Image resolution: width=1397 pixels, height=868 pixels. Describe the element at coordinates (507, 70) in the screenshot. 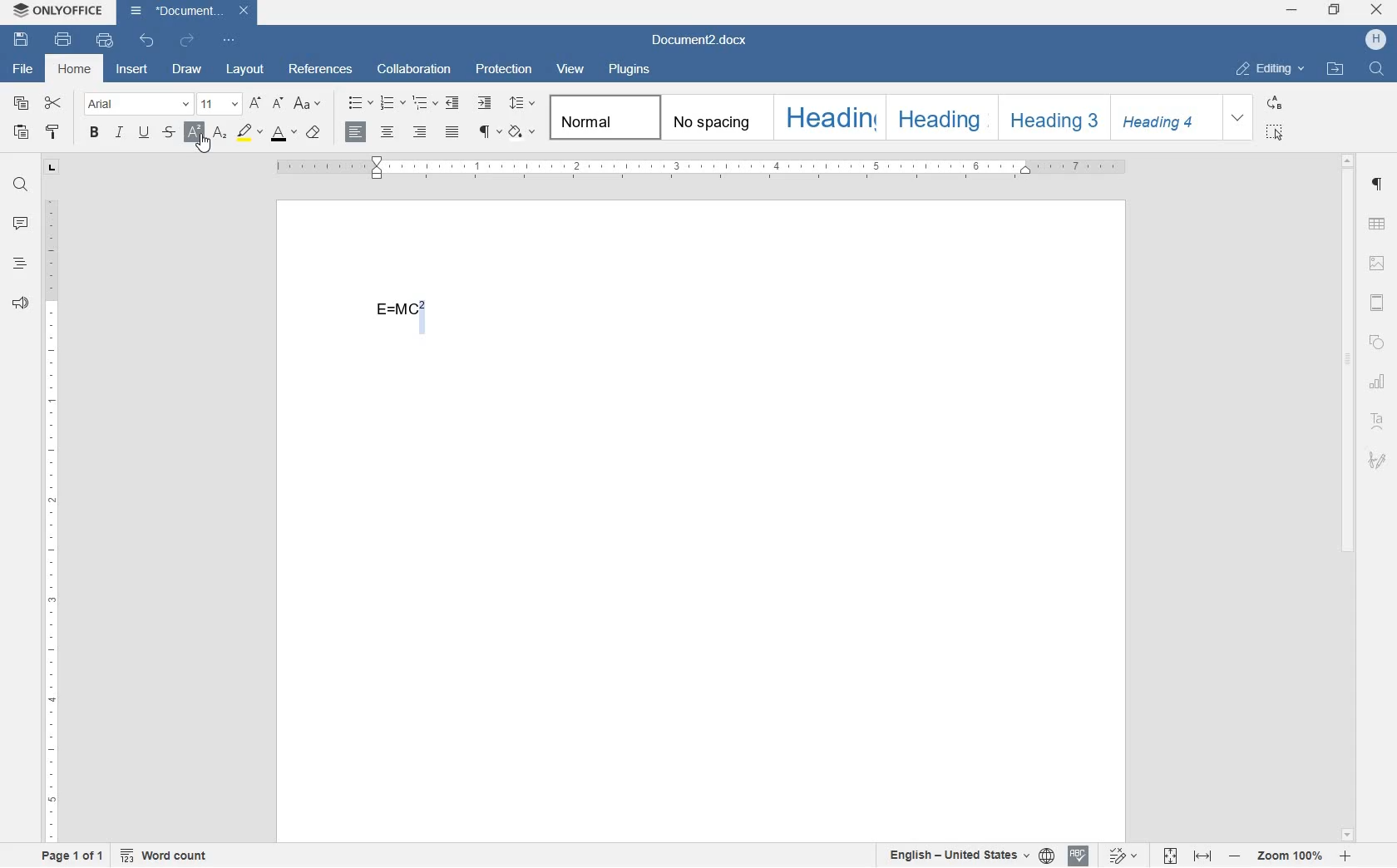

I see `protection` at that location.